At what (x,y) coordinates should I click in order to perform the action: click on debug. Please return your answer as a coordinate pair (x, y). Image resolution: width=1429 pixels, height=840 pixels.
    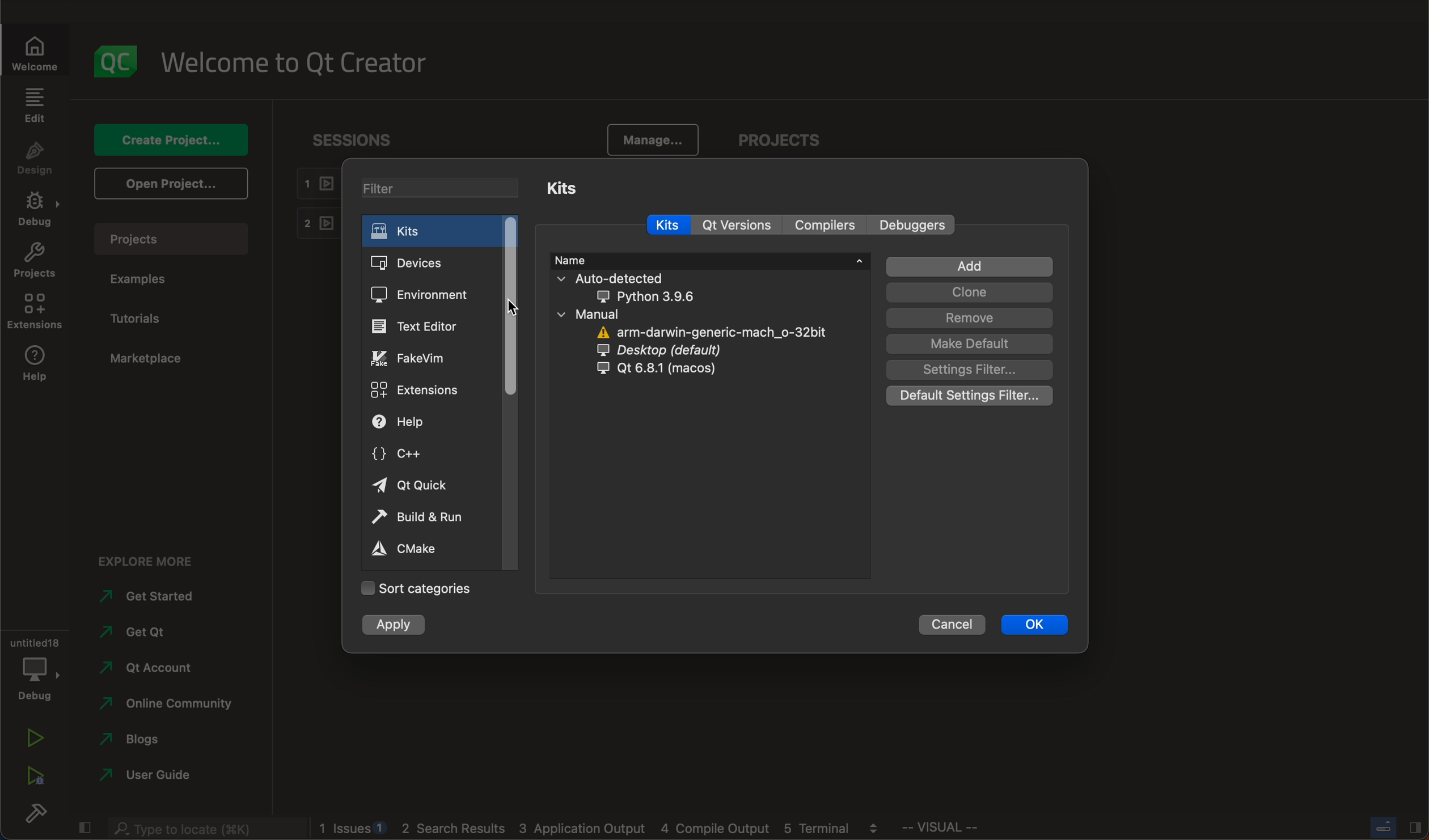
    Looking at the image, I should click on (34, 211).